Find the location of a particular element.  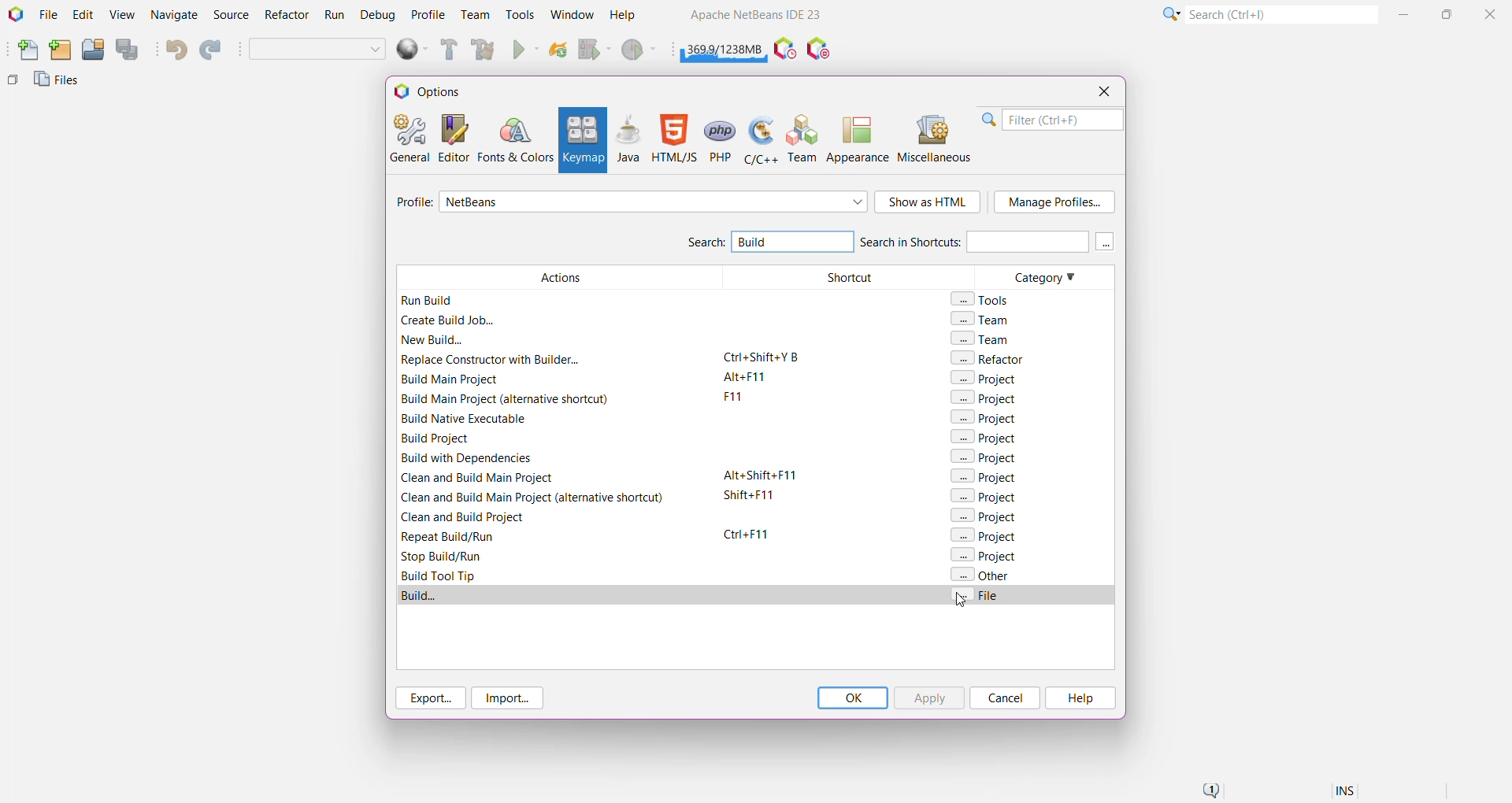

New Project is located at coordinates (60, 50).